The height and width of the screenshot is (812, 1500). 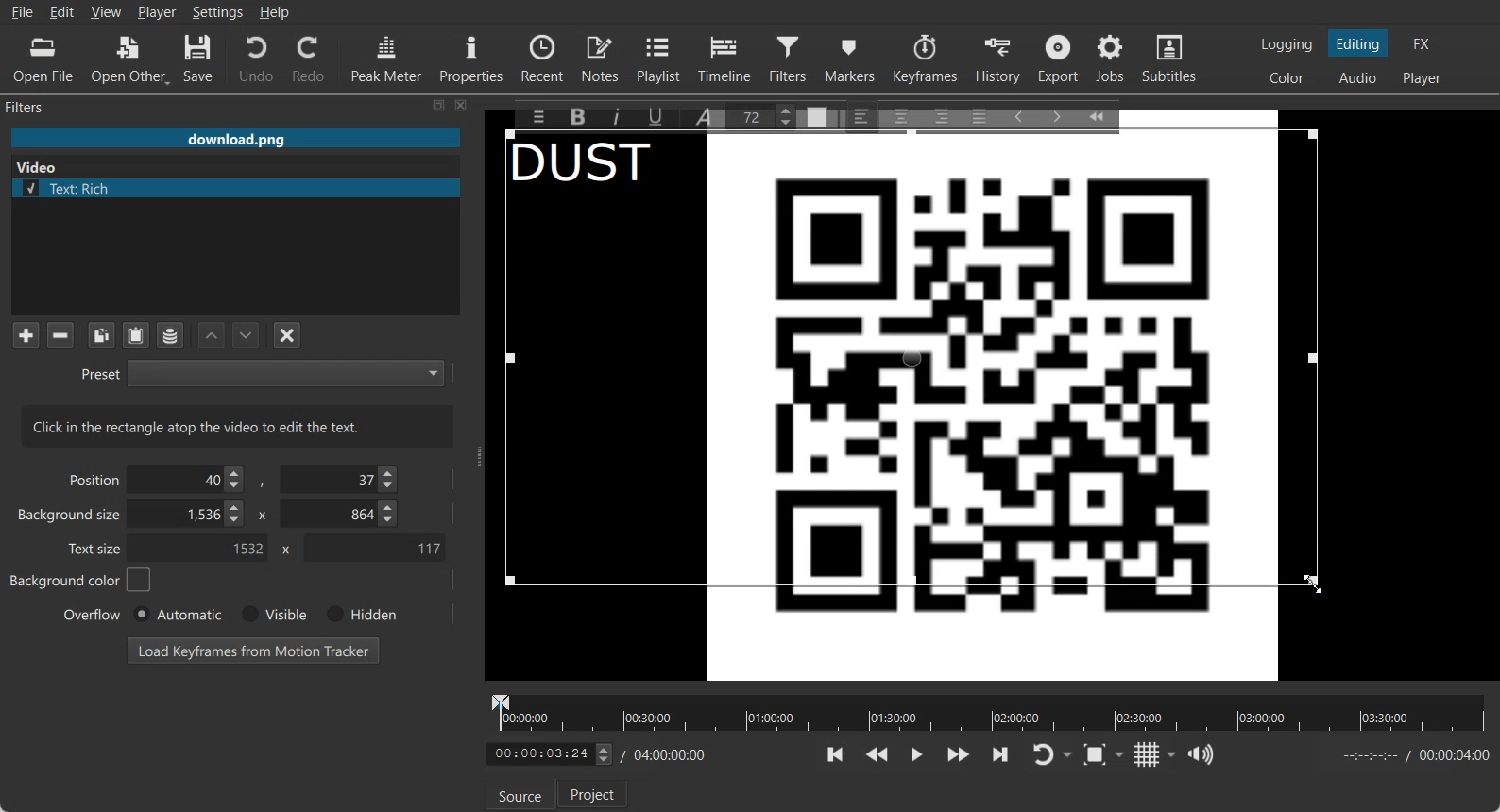 I want to click on Text size X- Co-ordinate, so click(x=204, y=550).